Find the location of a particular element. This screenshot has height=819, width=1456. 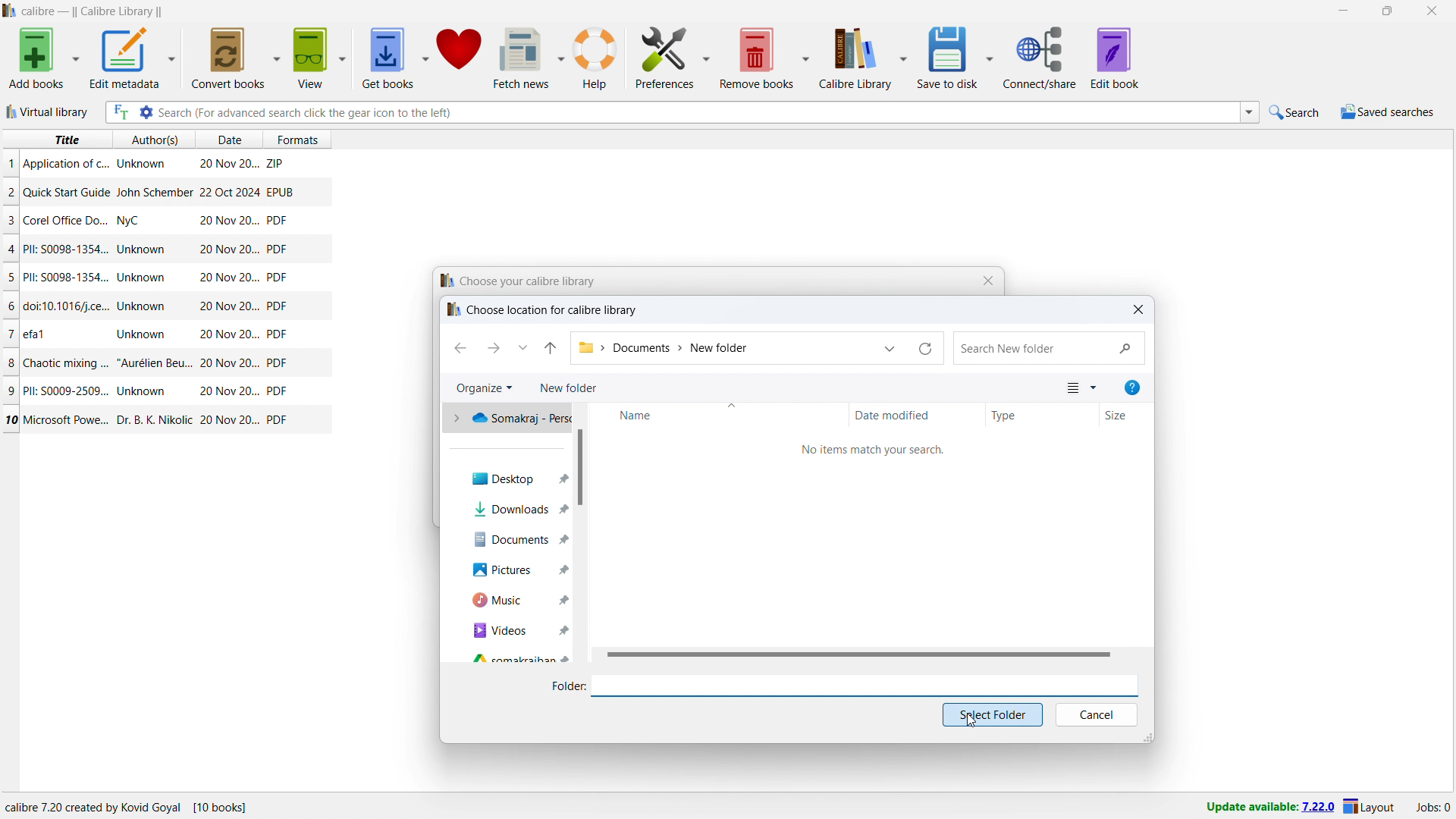

save to disk is located at coordinates (950, 57).